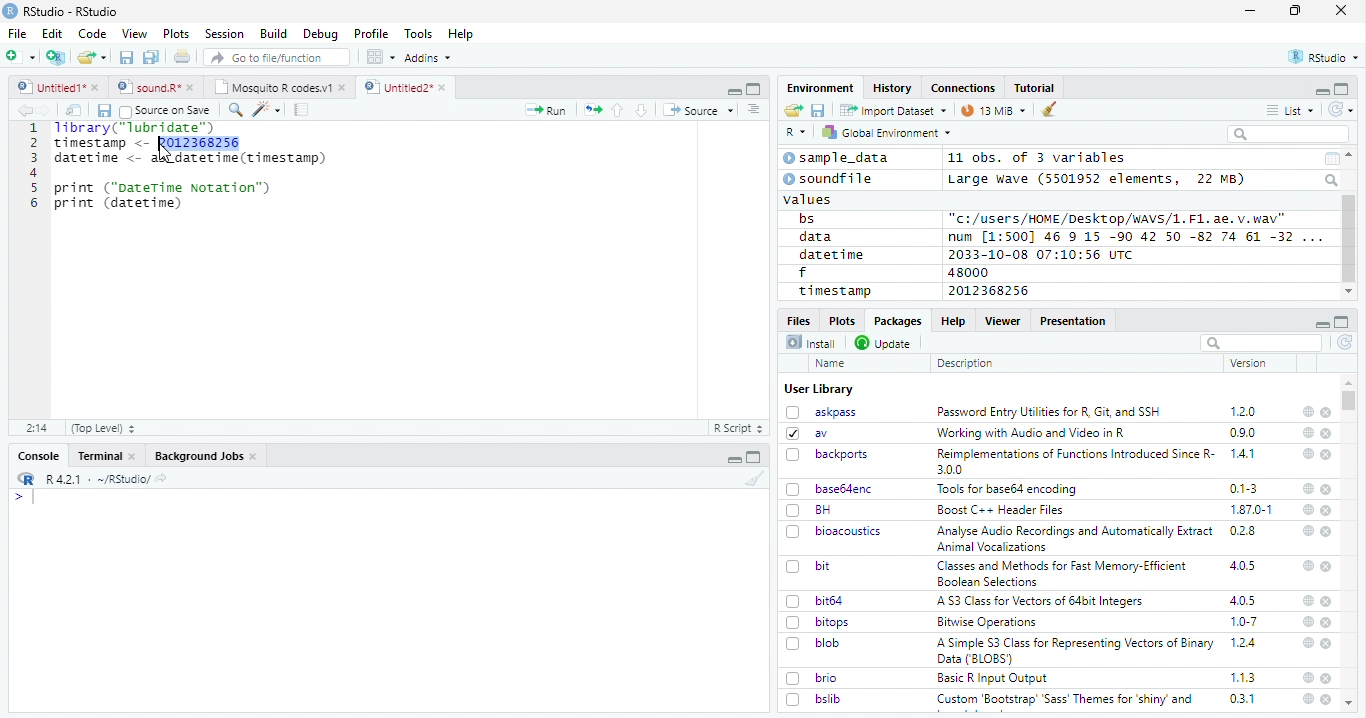 The height and width of the screenshot is (718, 1366). What do you see at coordinates (809, 567) in the screenshot?
I see `bit` at bounding box center [809, 567].